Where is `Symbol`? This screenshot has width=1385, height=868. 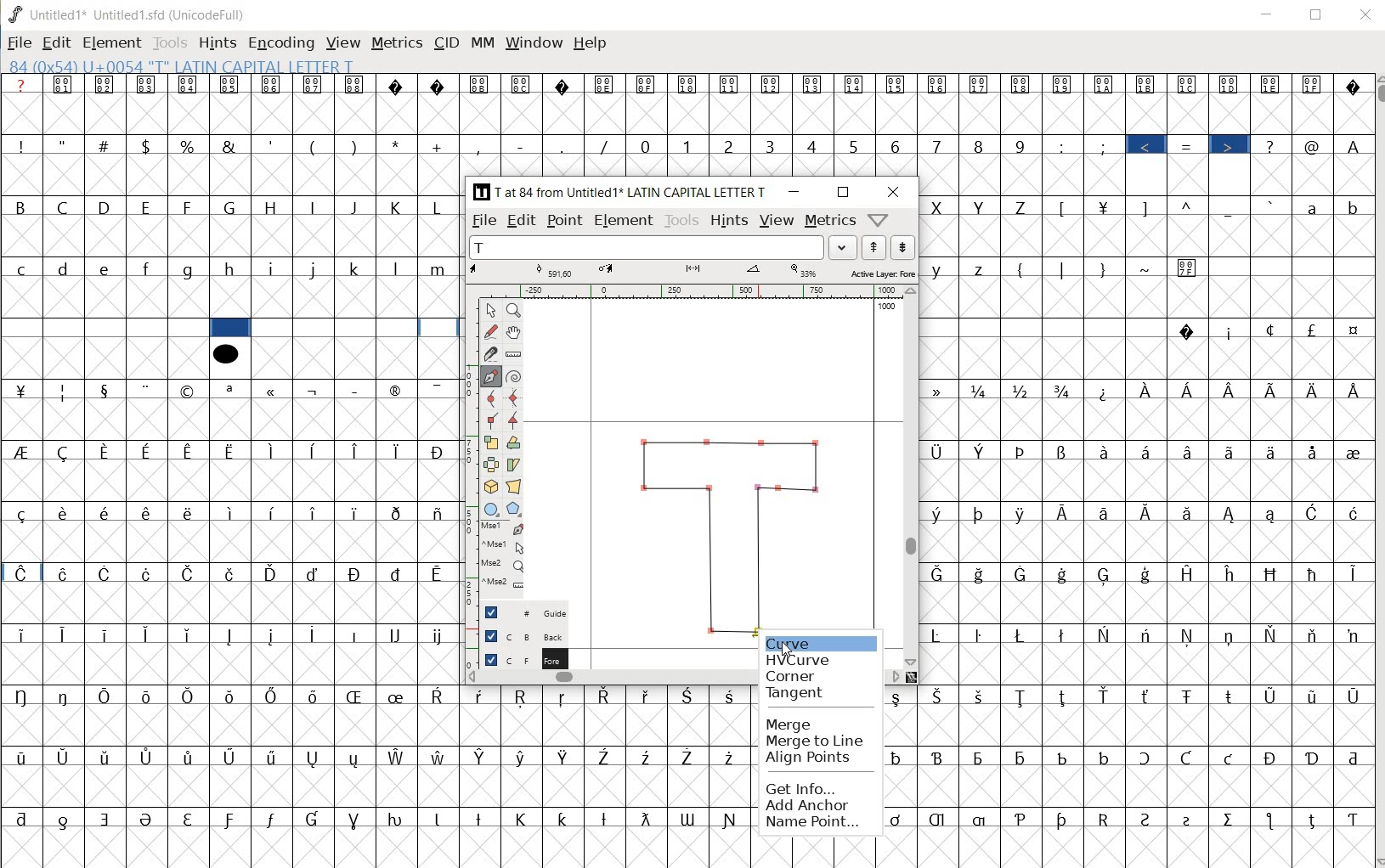
Symbol is located at coordinates (482, 85).